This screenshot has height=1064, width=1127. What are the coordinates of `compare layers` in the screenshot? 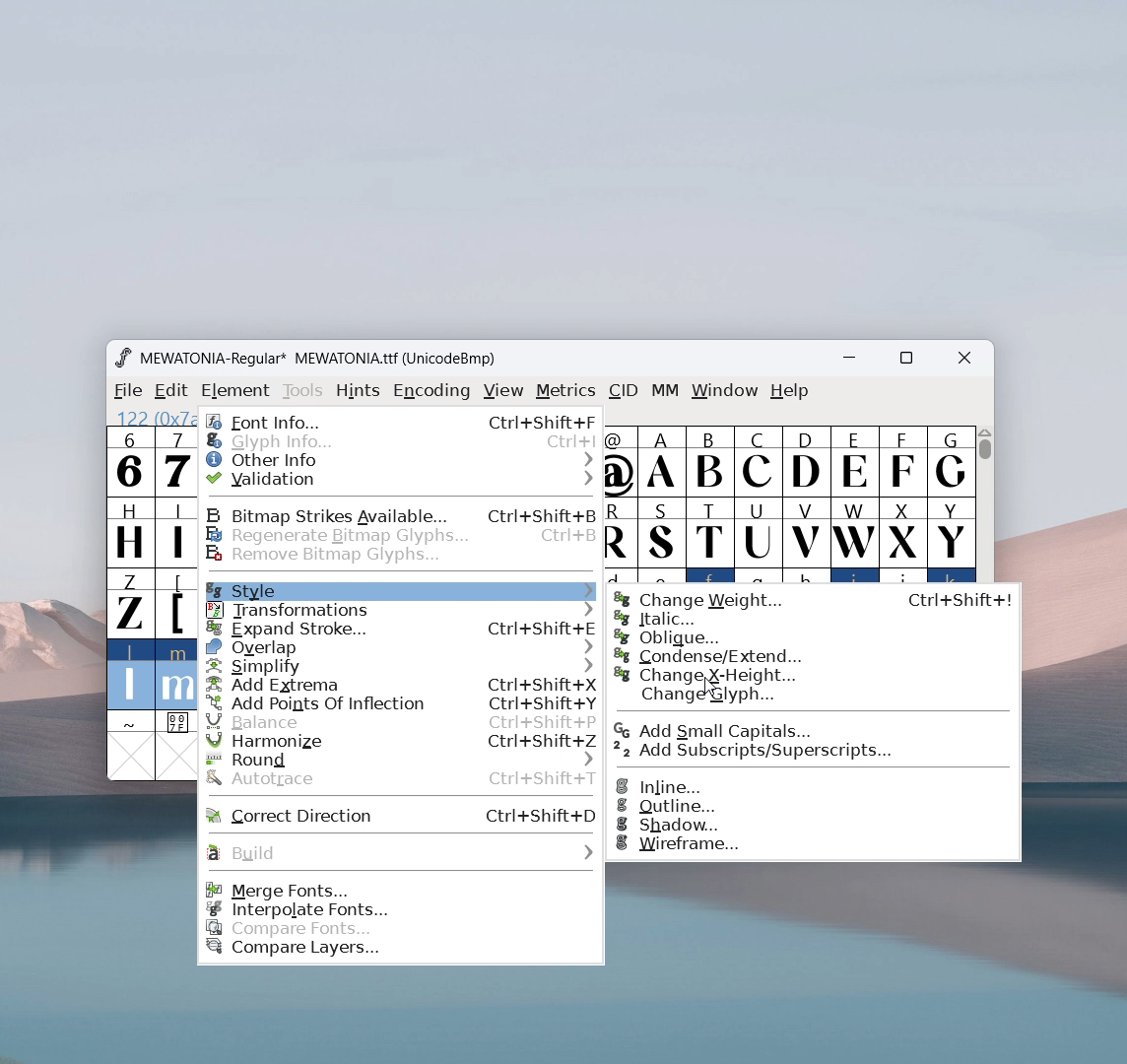 It's located at (402, 952).